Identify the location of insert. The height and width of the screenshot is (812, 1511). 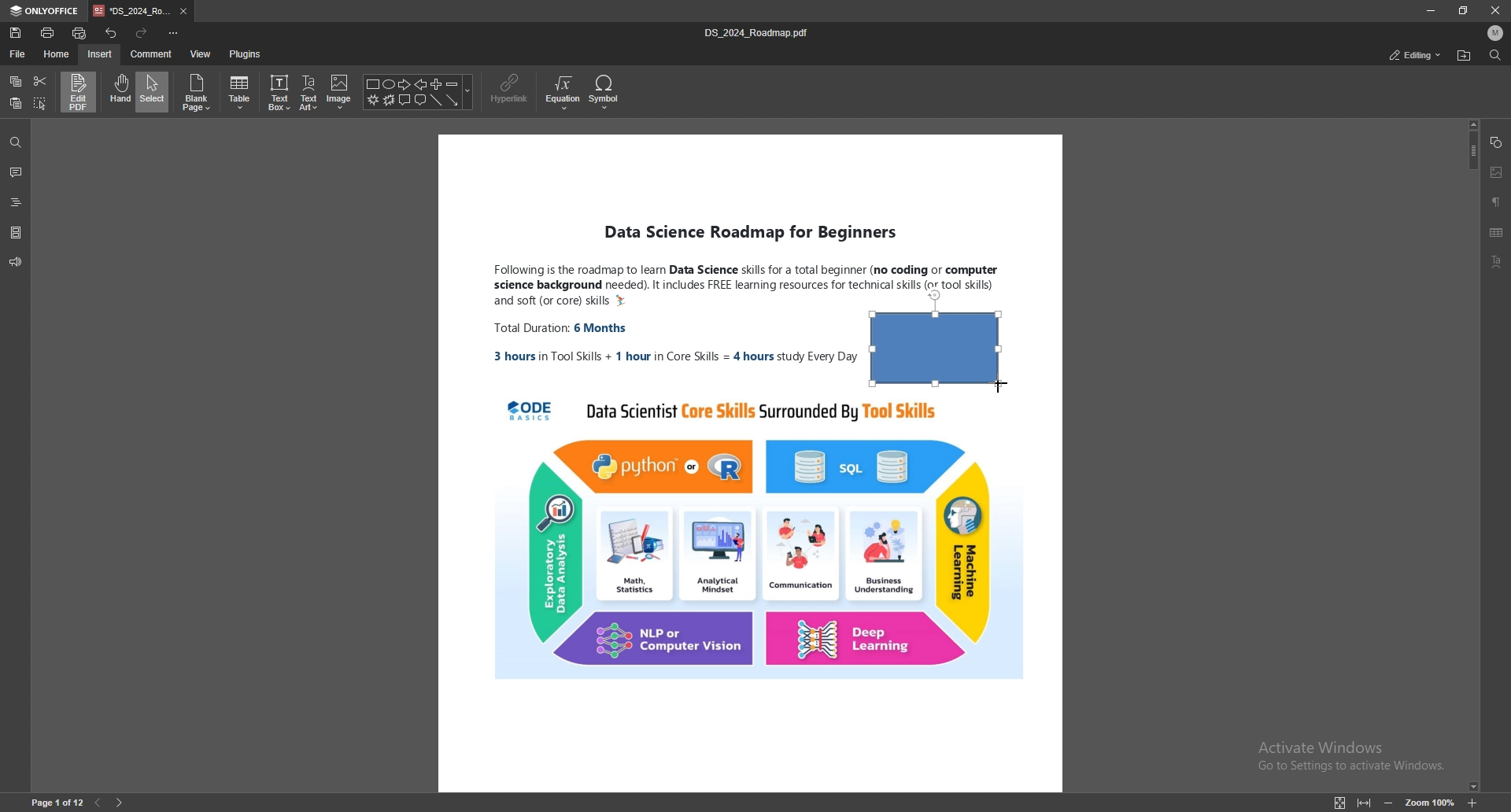
(99, 55).